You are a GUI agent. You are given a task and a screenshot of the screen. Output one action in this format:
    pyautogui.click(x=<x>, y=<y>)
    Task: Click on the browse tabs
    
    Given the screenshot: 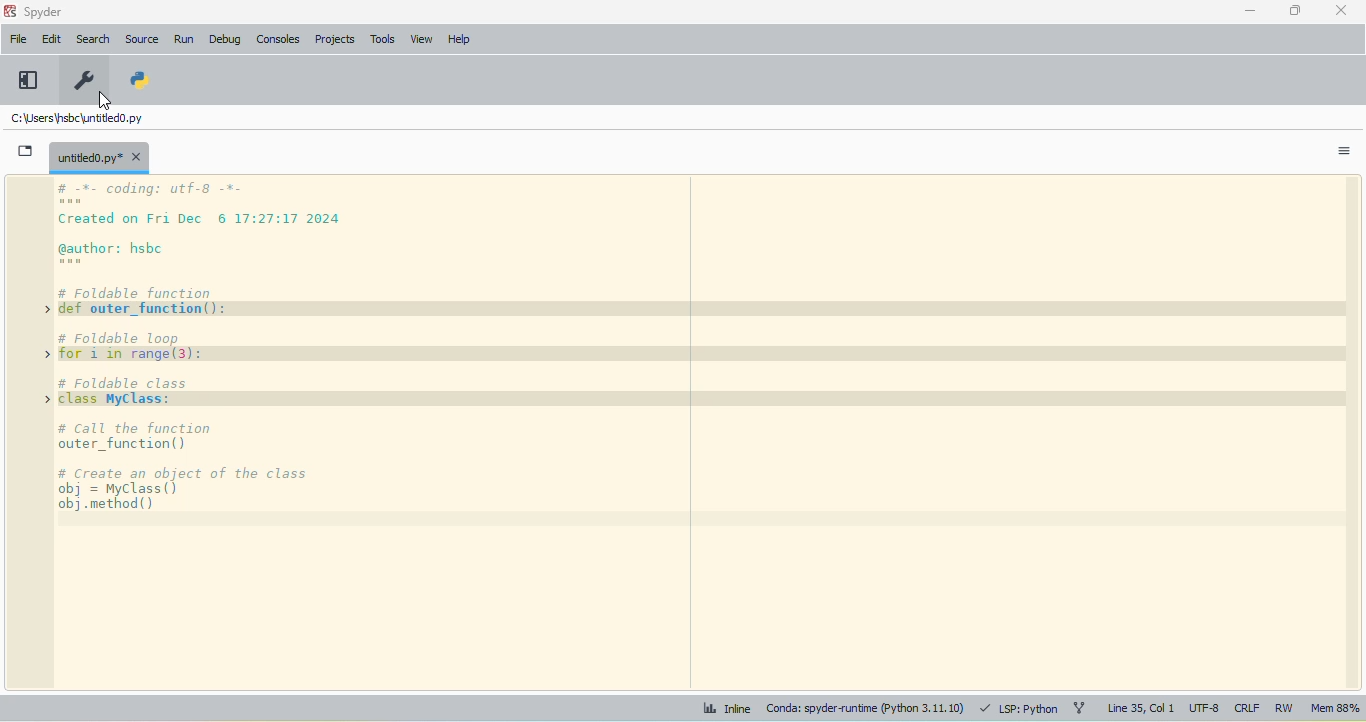 What is the action you would take?
    pyautogui.click(x=26, y=151)
    